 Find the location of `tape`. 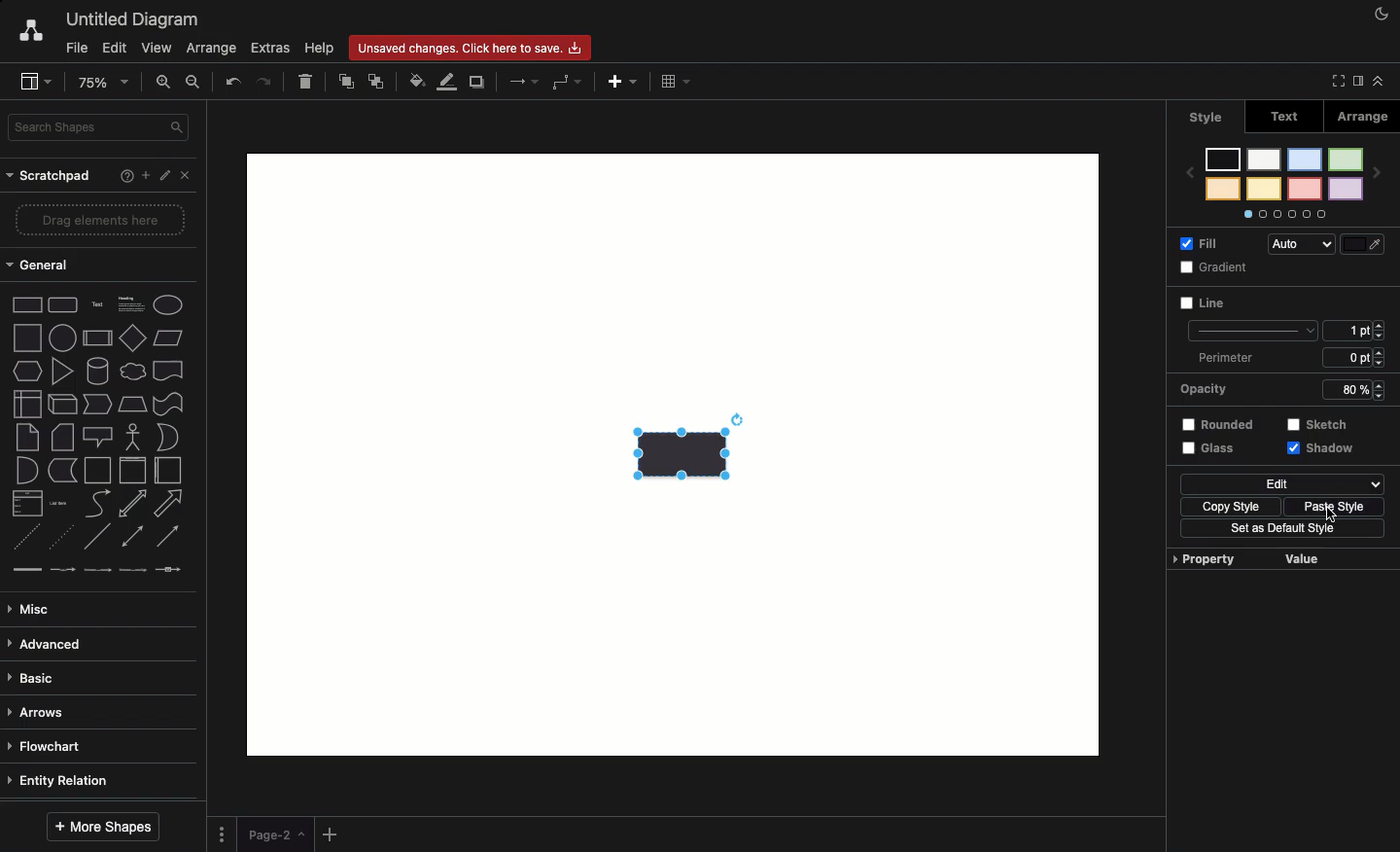

tape is located at coordinates (169, 403).